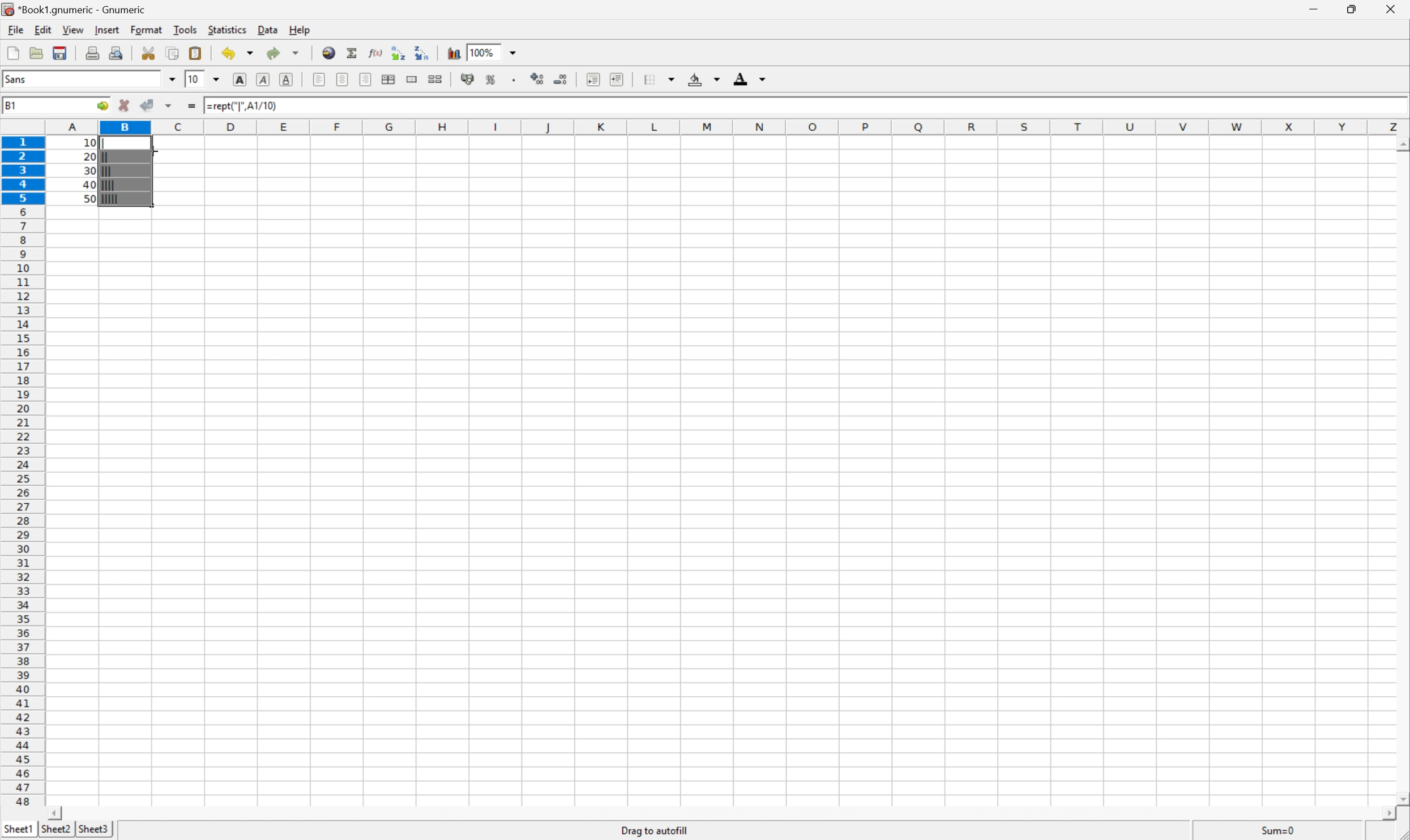 The image size is (1410, 840). Describe the element at coordinates (456, 53) in the screenshot. I see `Insert chart` at that location.